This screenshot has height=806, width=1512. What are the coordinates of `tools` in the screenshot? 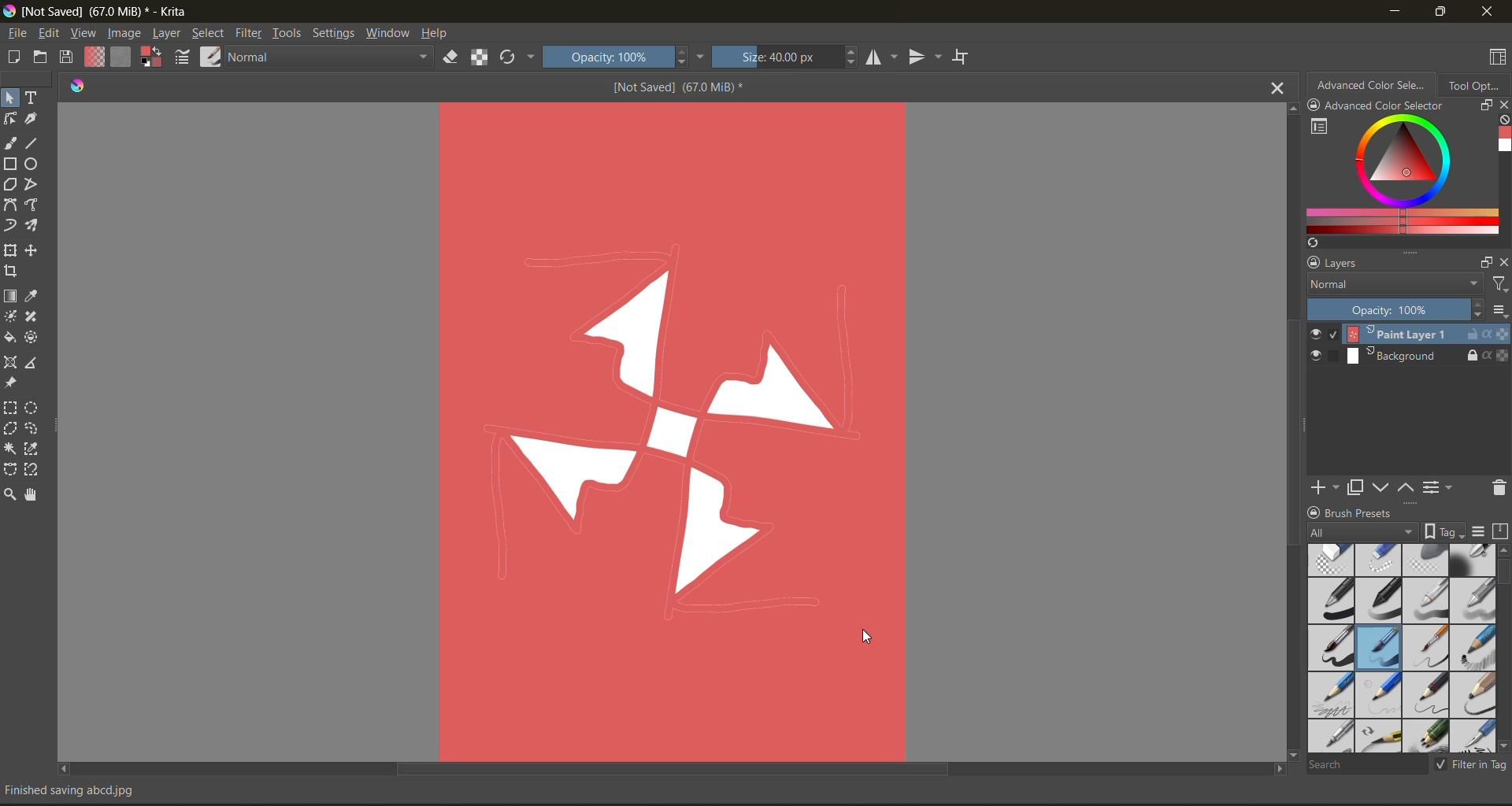 It's located at (33, 316).